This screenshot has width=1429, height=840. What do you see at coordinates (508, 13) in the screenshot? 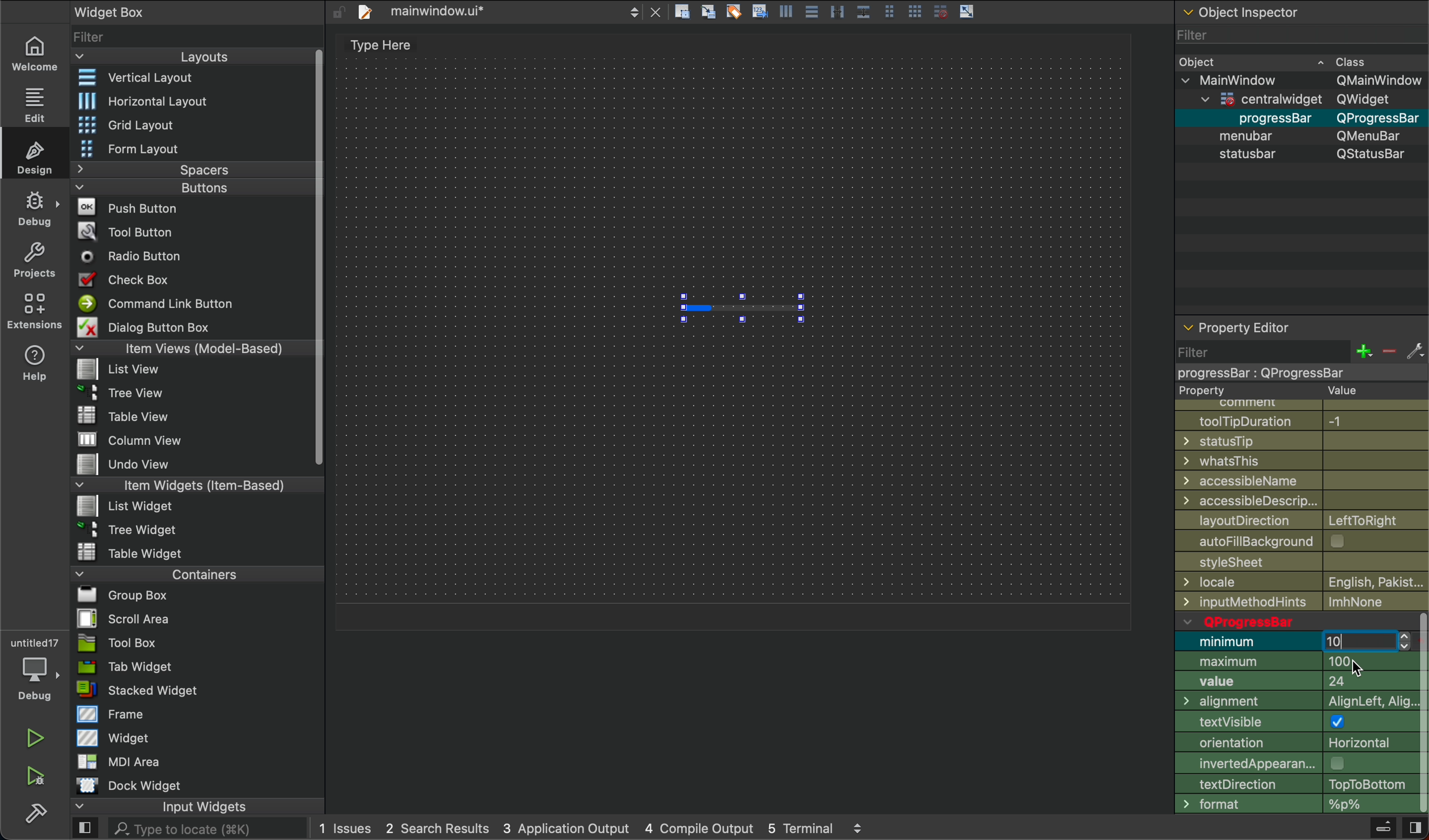
I see `file tab` at bounding box center [508, 13].